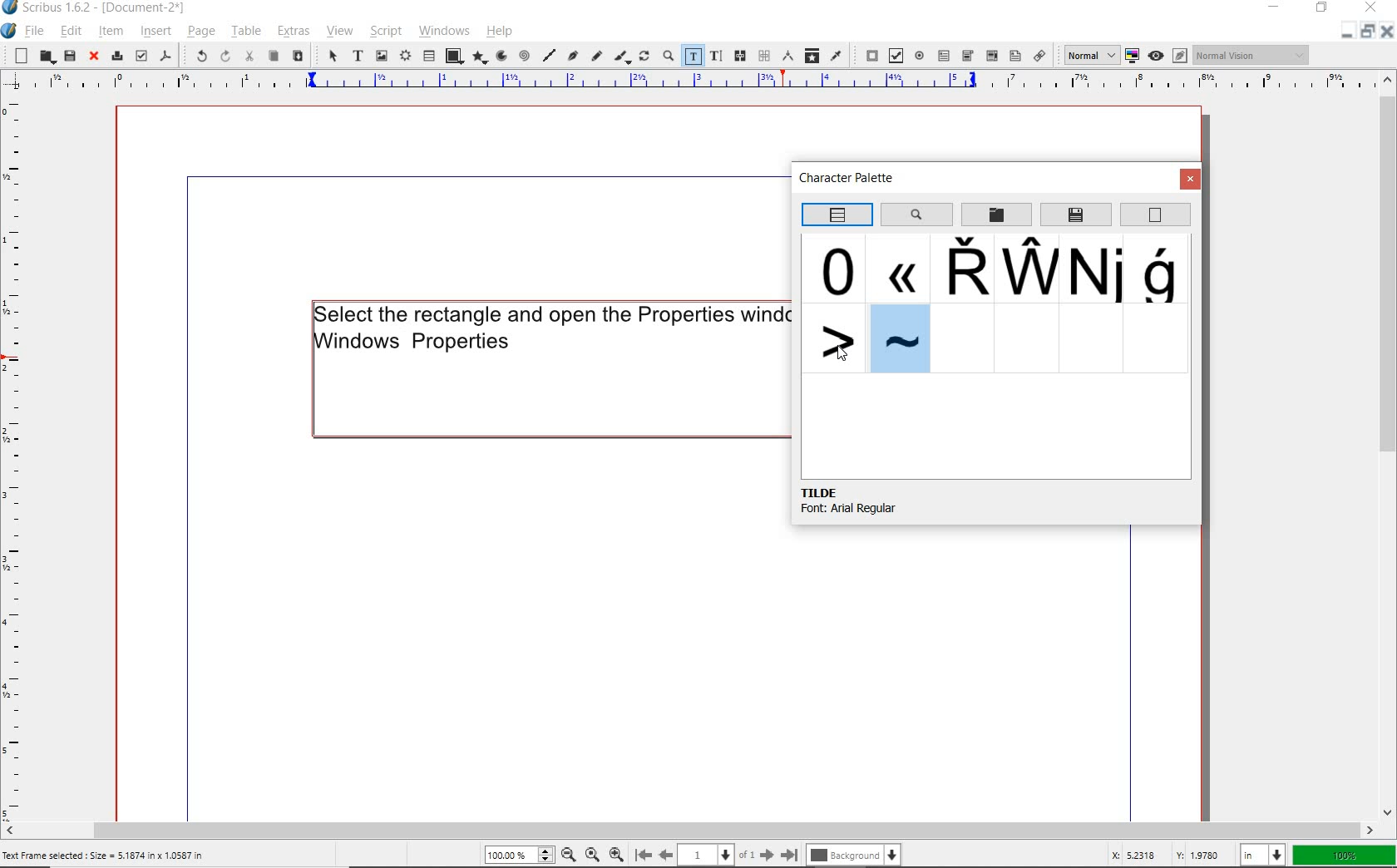  Describe the element at coordinates (1028, 268) in the screenshot. I see `glyphs` at that location.